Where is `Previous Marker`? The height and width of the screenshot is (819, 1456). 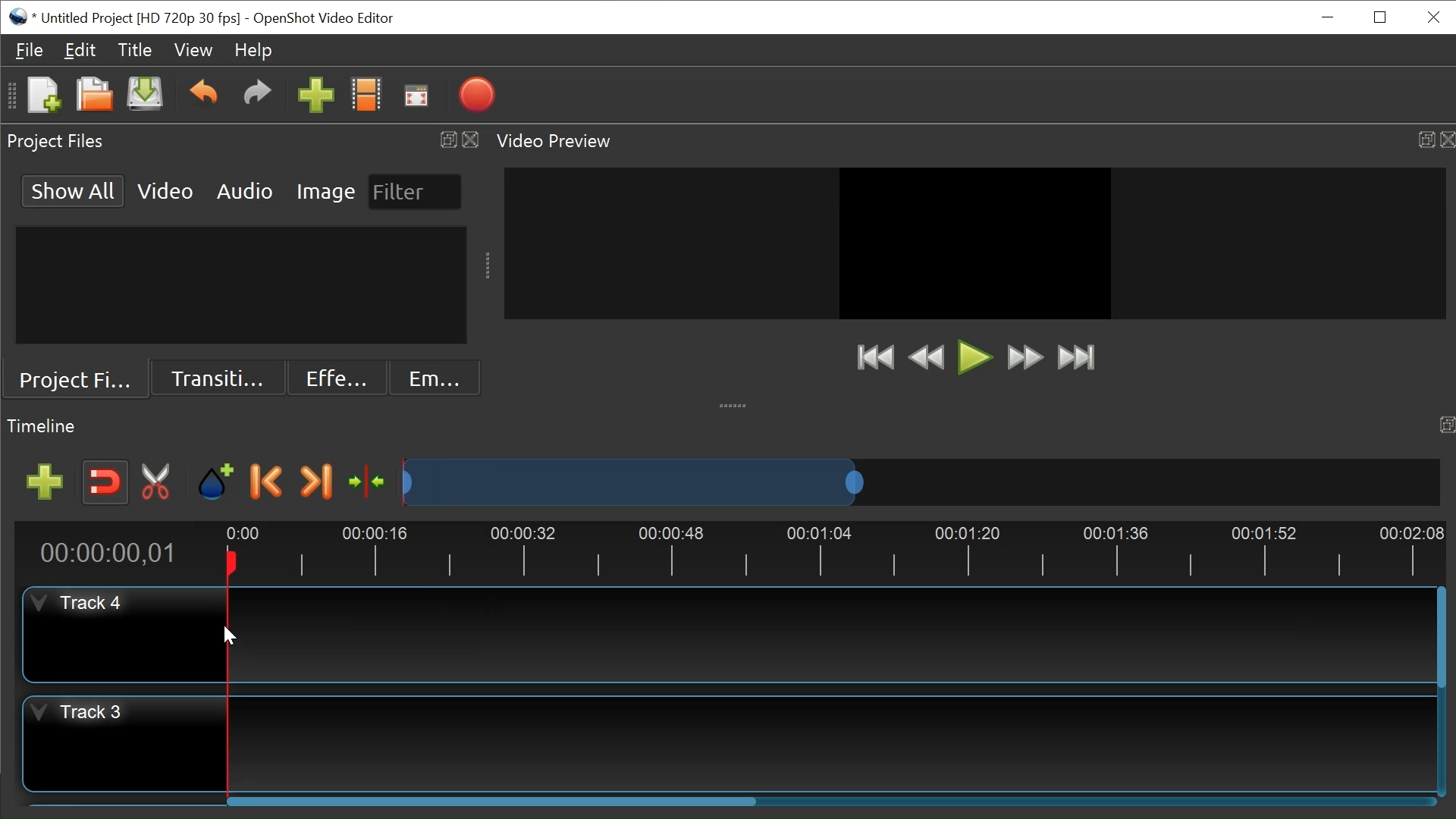
Previous Marker is located at coordinates (267, 481).